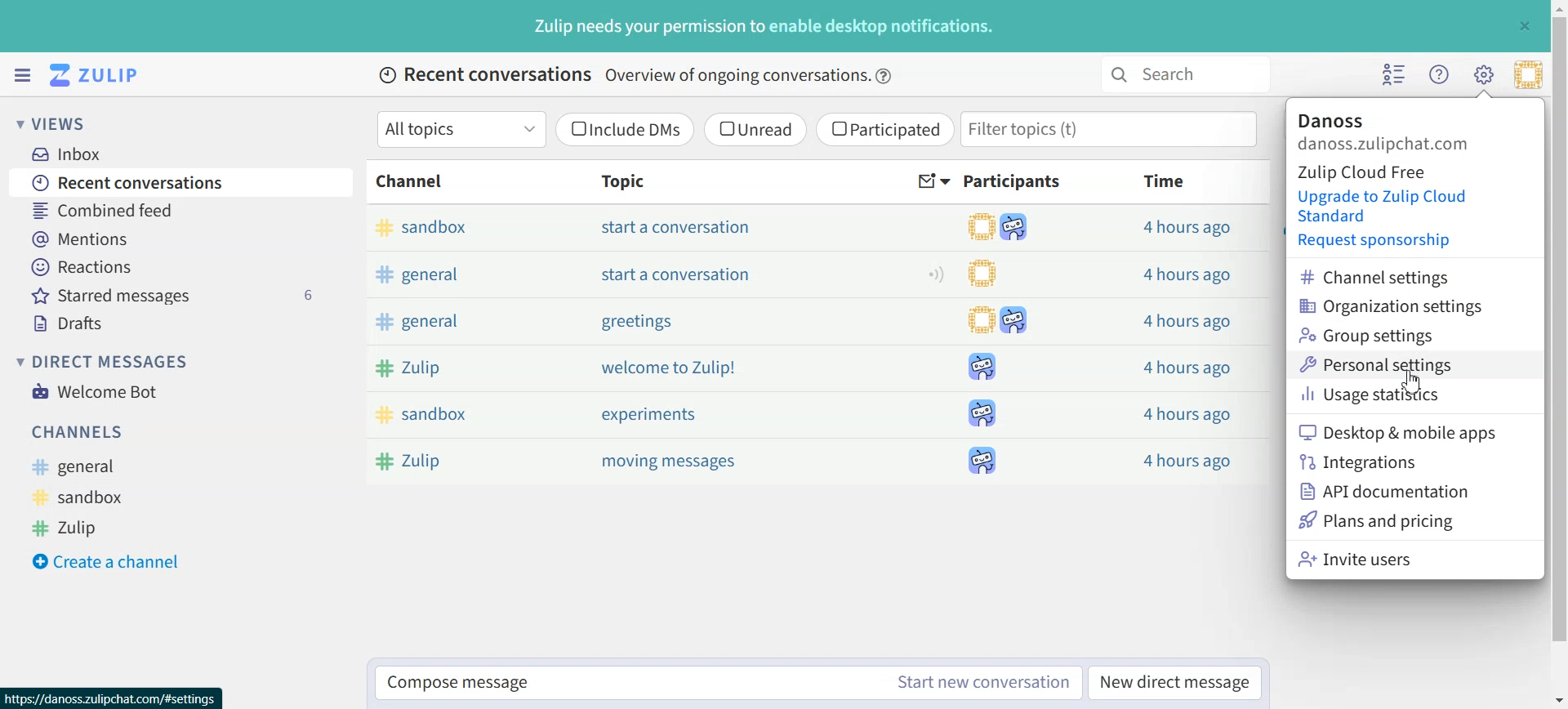  What do you see at coordinates (84, 497) in the screenshot?
I see `#sandbox` at bounding box center [84, 497].